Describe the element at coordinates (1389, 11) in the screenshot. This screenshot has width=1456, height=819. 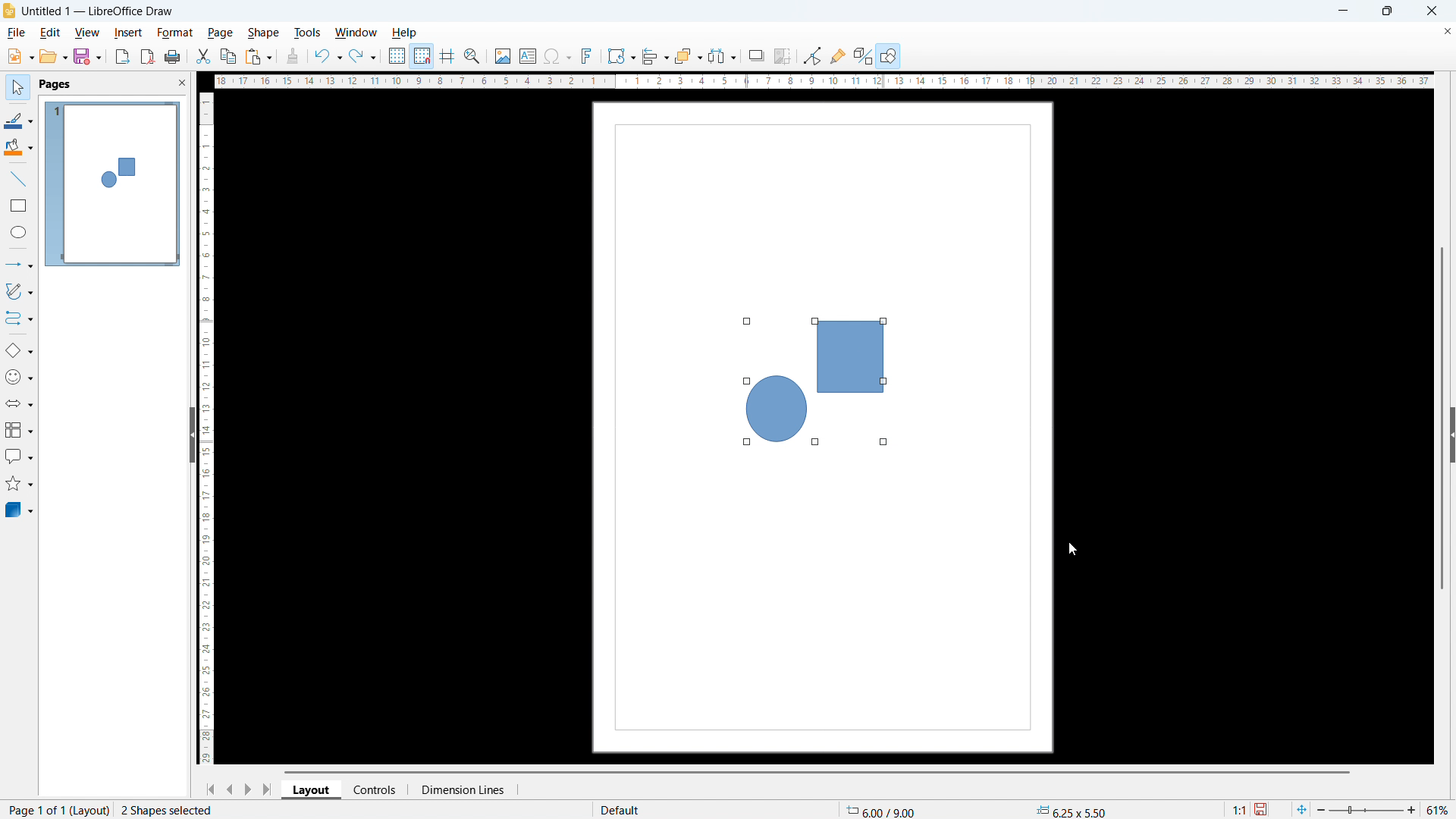
I see `maximize` at that location.